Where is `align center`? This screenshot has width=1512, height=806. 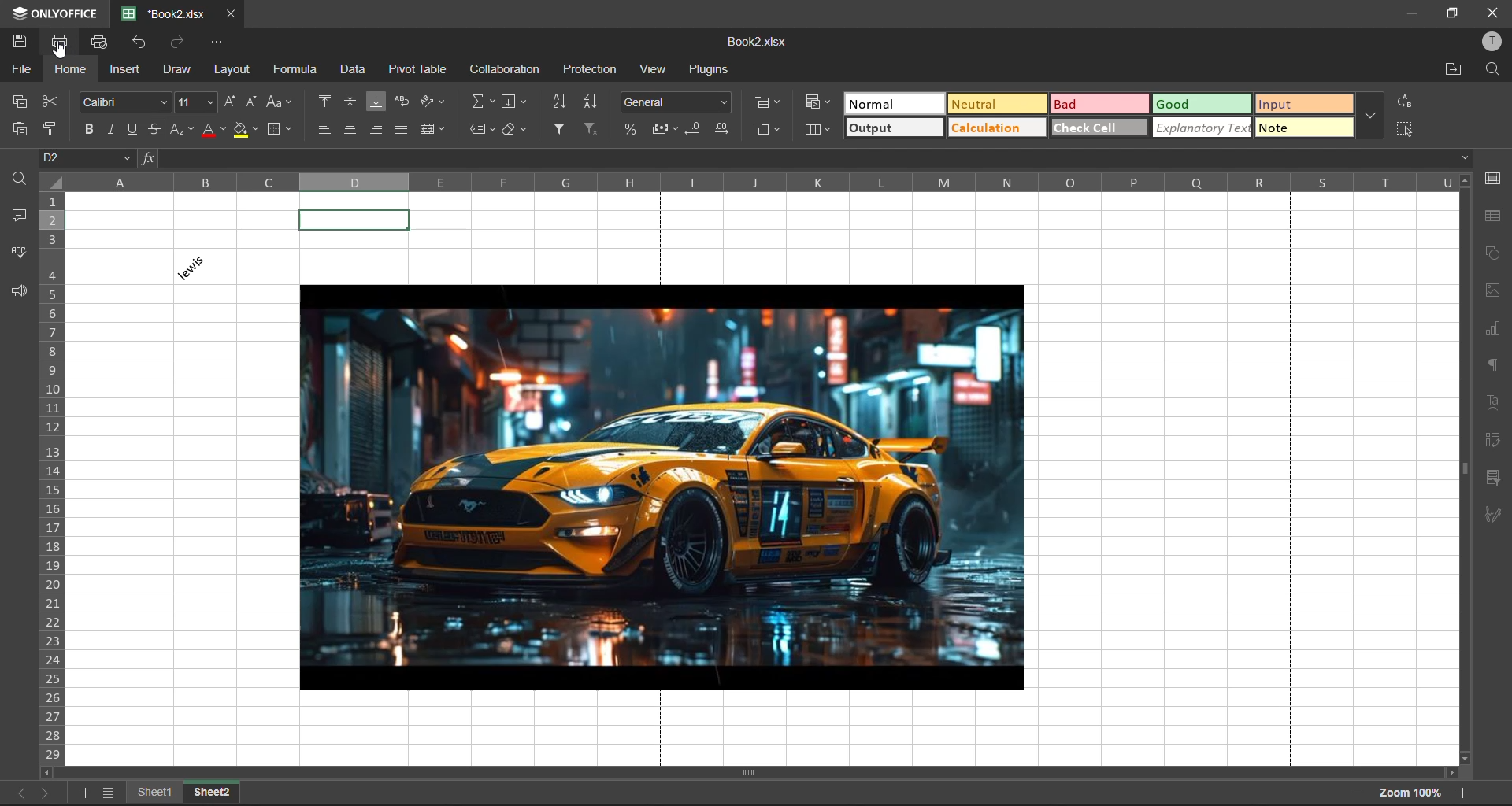 align center is located at coordinates (350, 128).